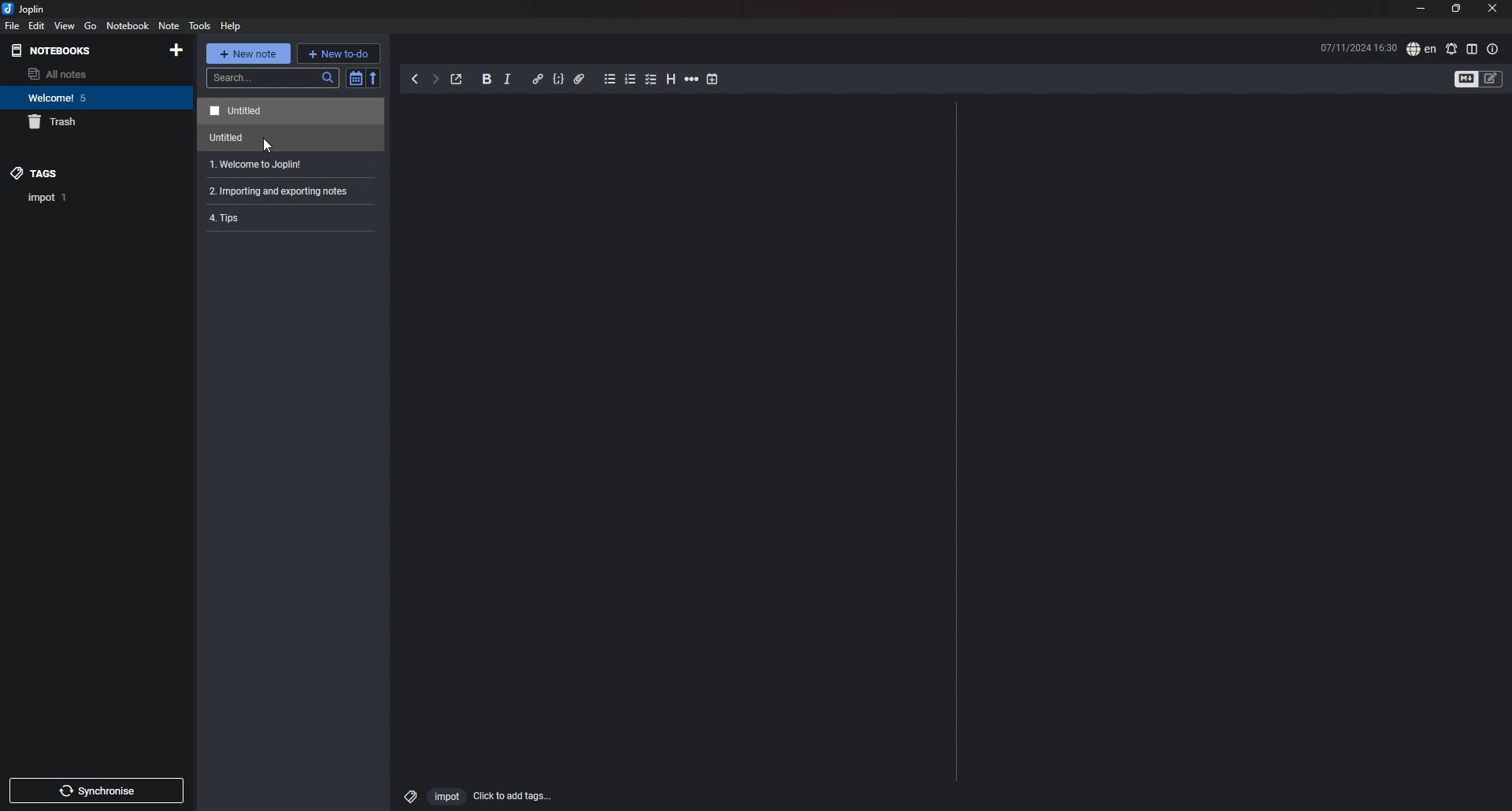  What do you see at coordinates (1492, 9) in the screenshot?
I see `close` at bounding box center [1492, 9].